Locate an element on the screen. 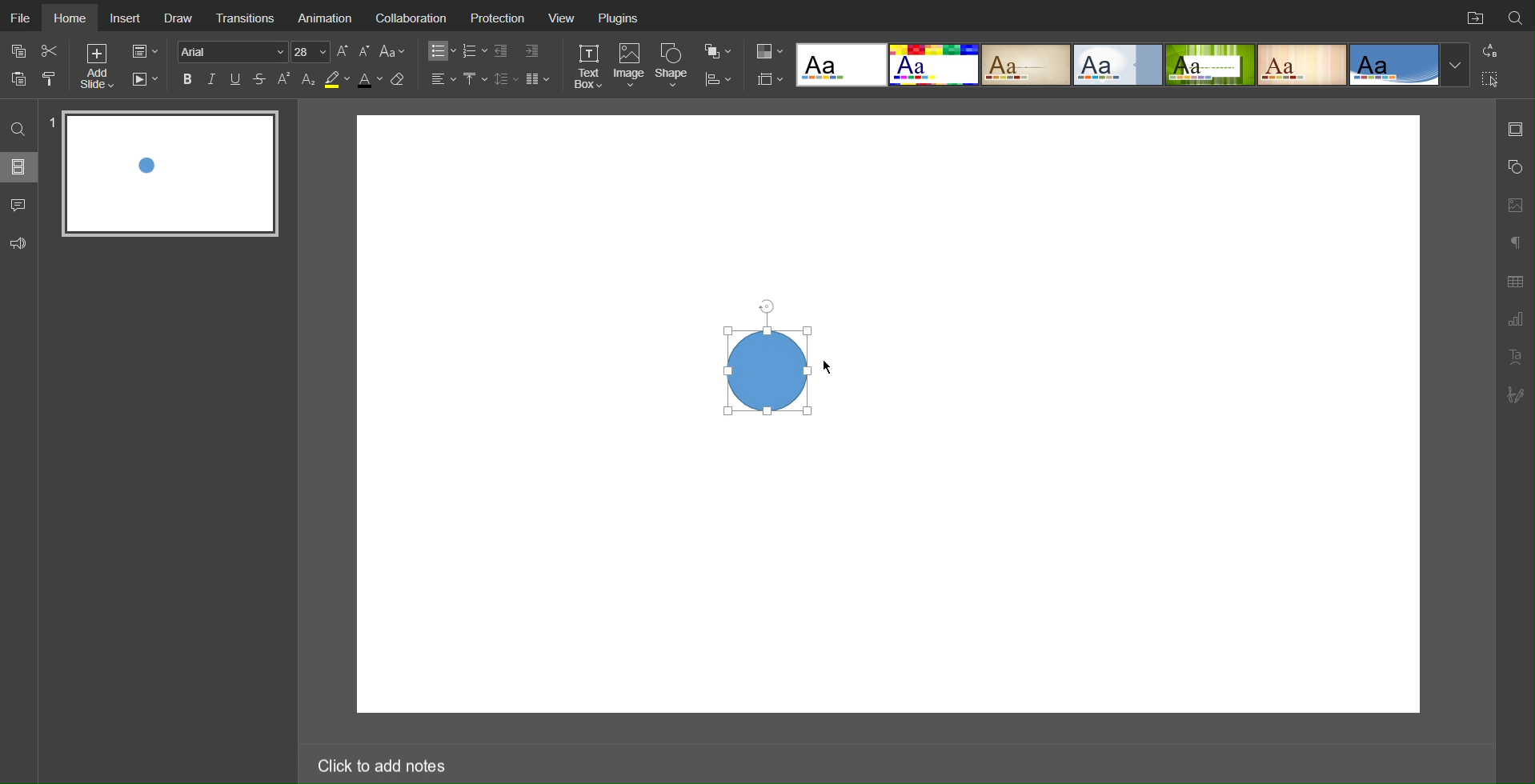 This screenshot has height=784, width=1535. Cursor is located at coordinates (828, 371).